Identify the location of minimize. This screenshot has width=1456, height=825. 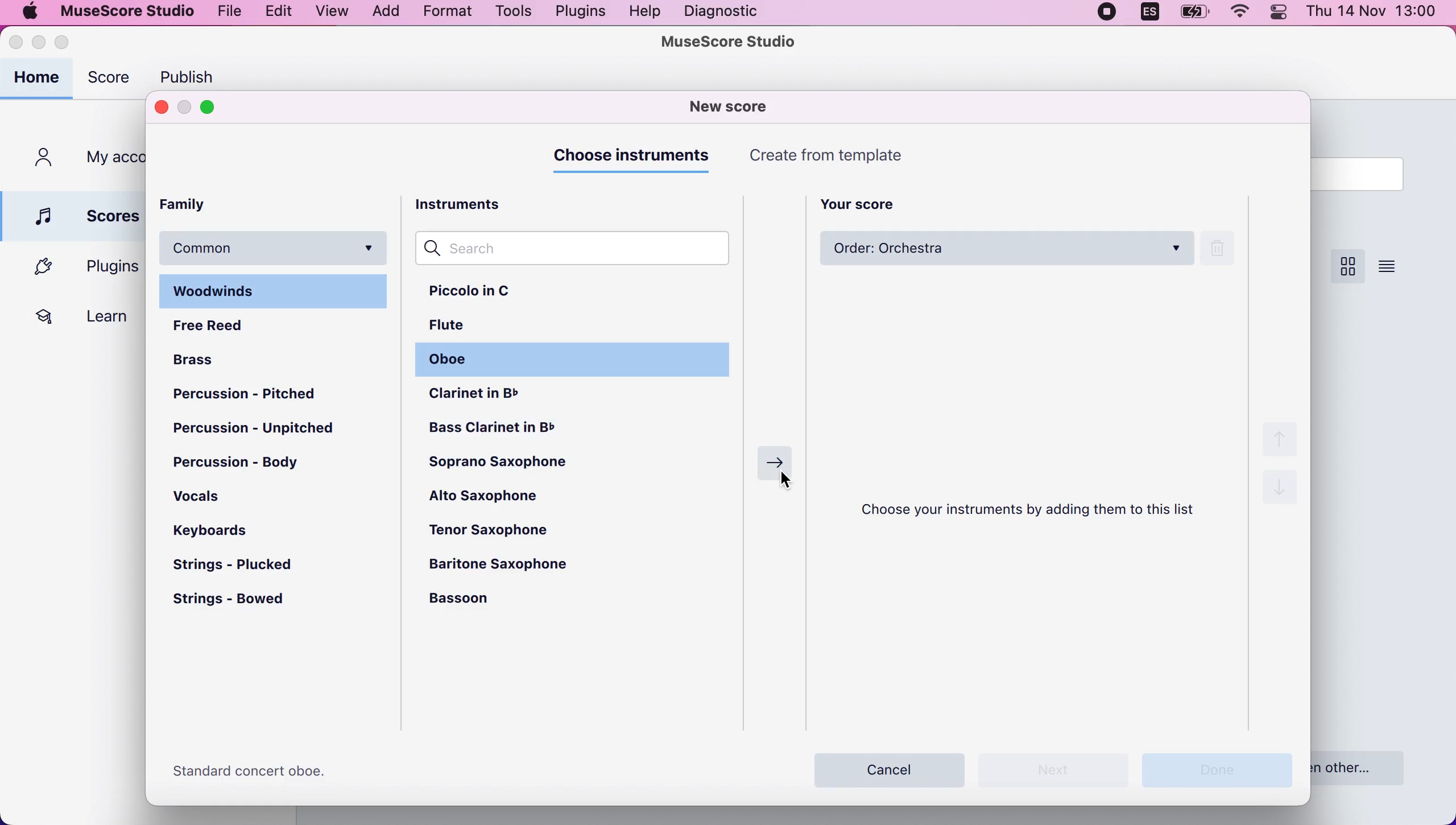
(185, 107).